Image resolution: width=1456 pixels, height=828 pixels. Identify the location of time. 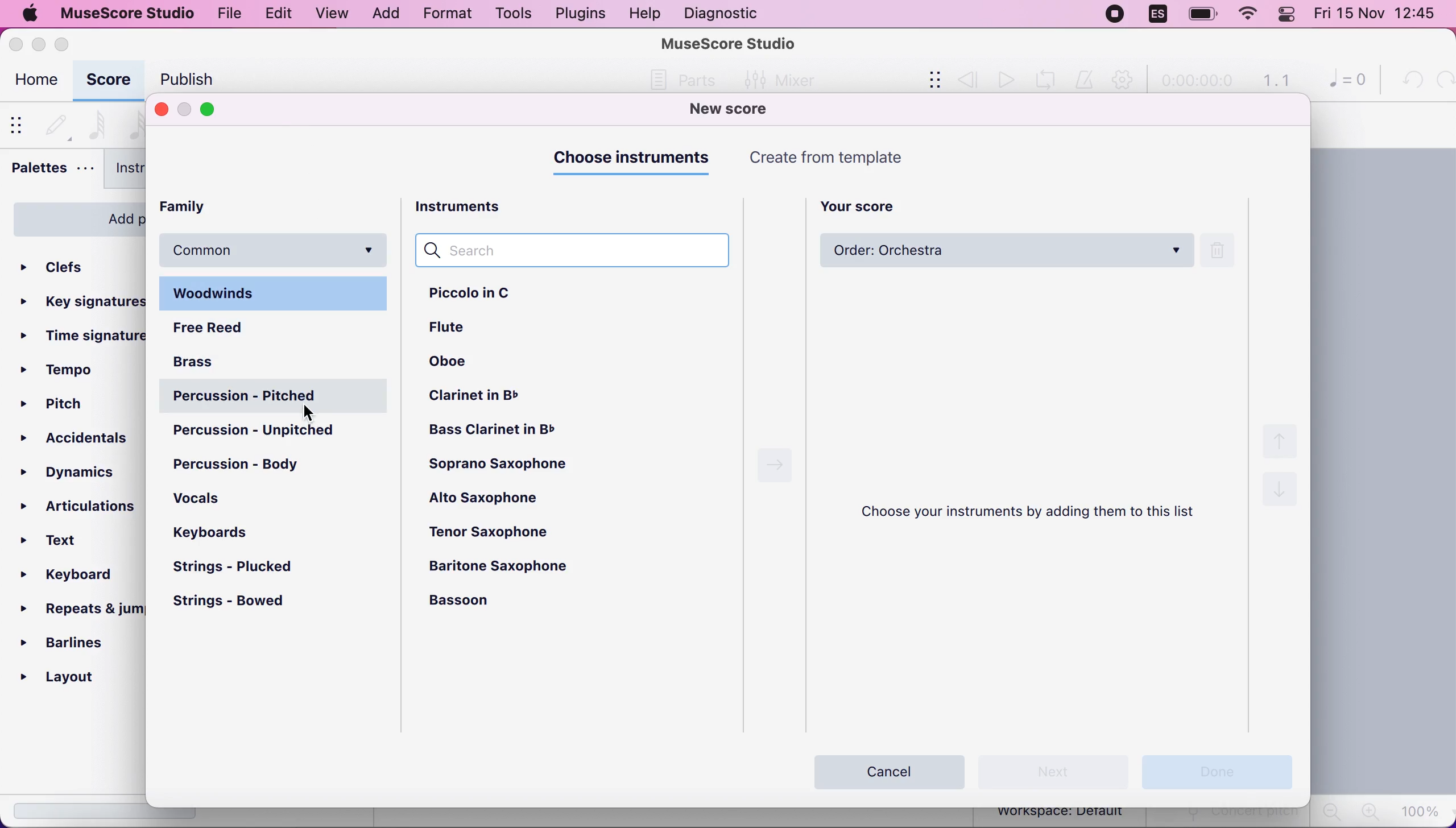
(1196, 82).